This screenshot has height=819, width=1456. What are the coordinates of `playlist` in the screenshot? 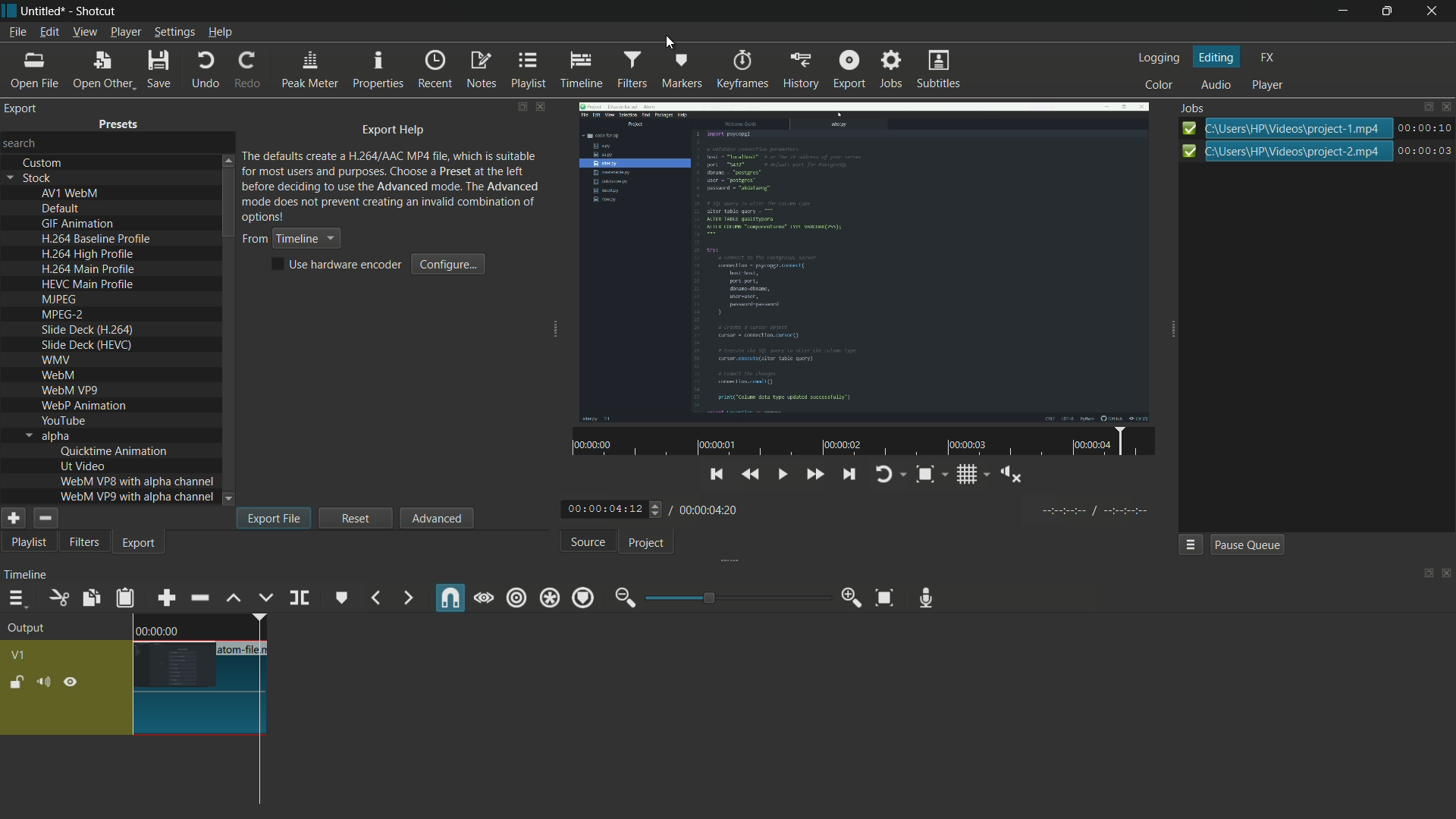 It's located at (527, 71).